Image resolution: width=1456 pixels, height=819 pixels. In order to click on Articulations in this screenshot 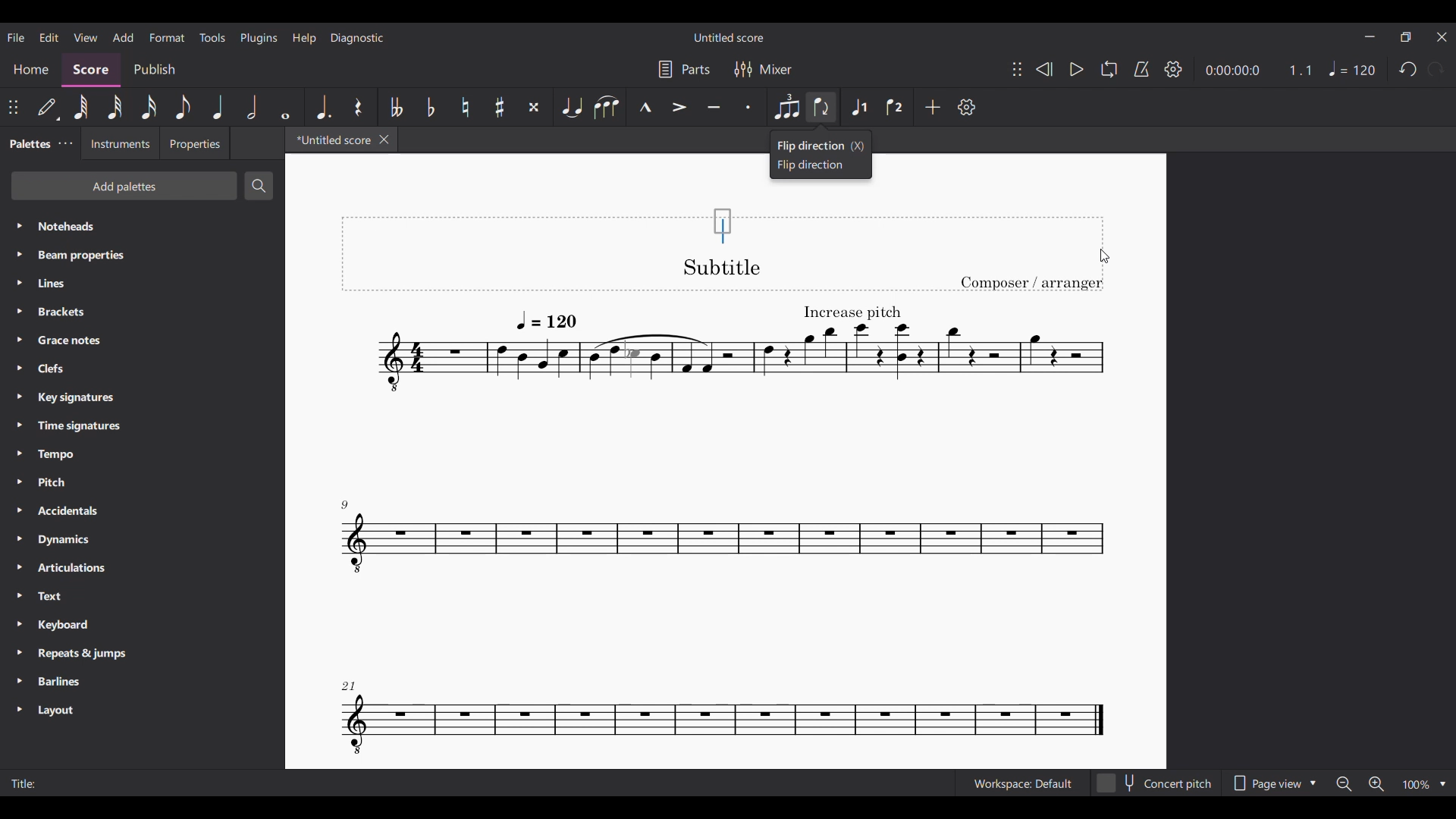, I will do `click(143, 568)`.